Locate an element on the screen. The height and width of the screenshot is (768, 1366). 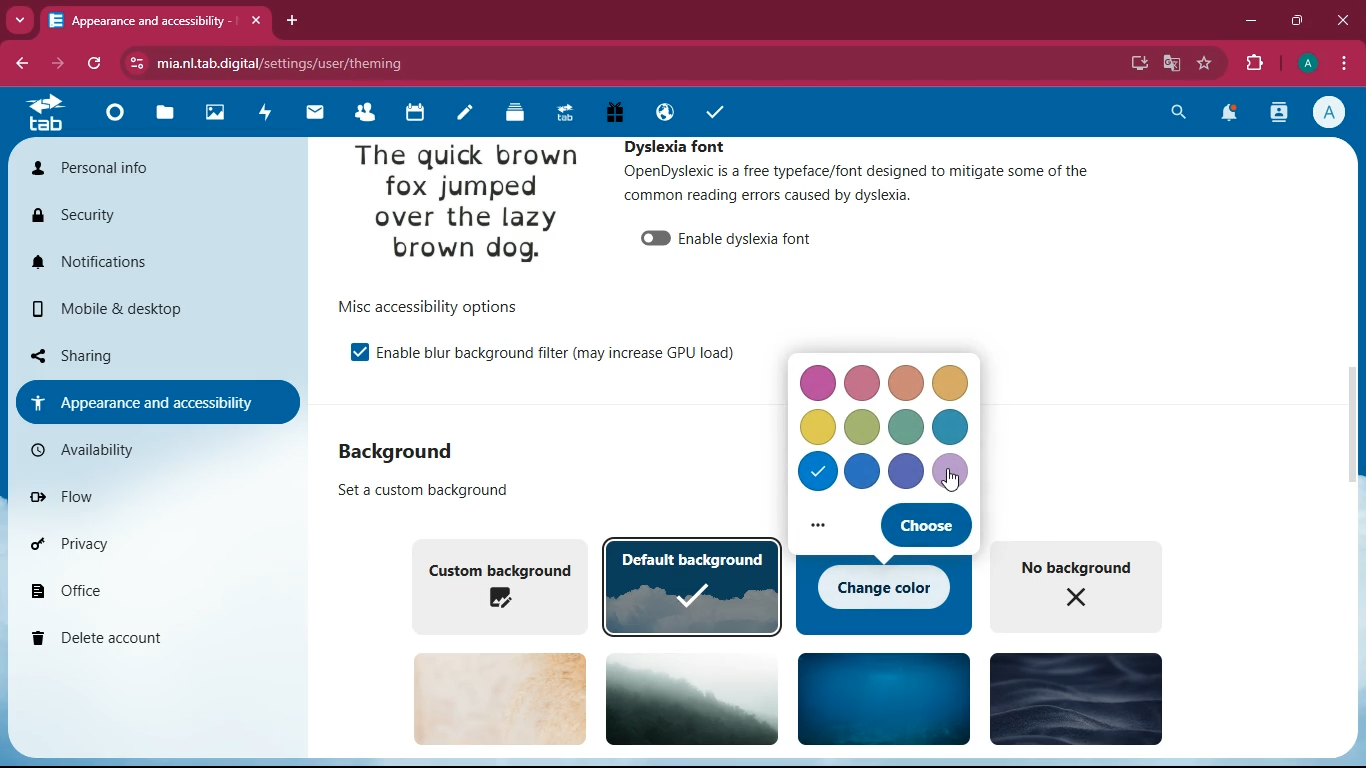
no background is located at coordinates (1085, 585).